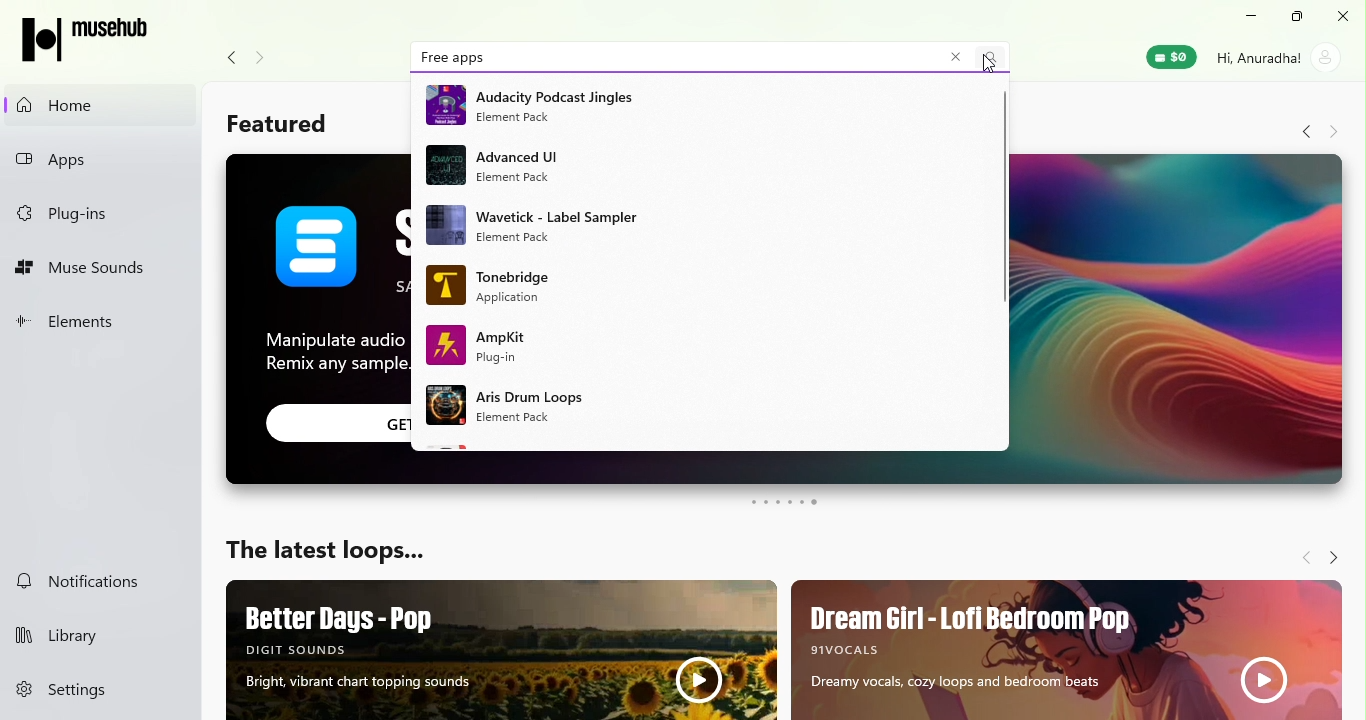 This screenshot has height=720, width=1366. What do you see at coordinates (1302, 132) in the screenshot?
I see `Navigate back` at bounding box center [1302, 132].